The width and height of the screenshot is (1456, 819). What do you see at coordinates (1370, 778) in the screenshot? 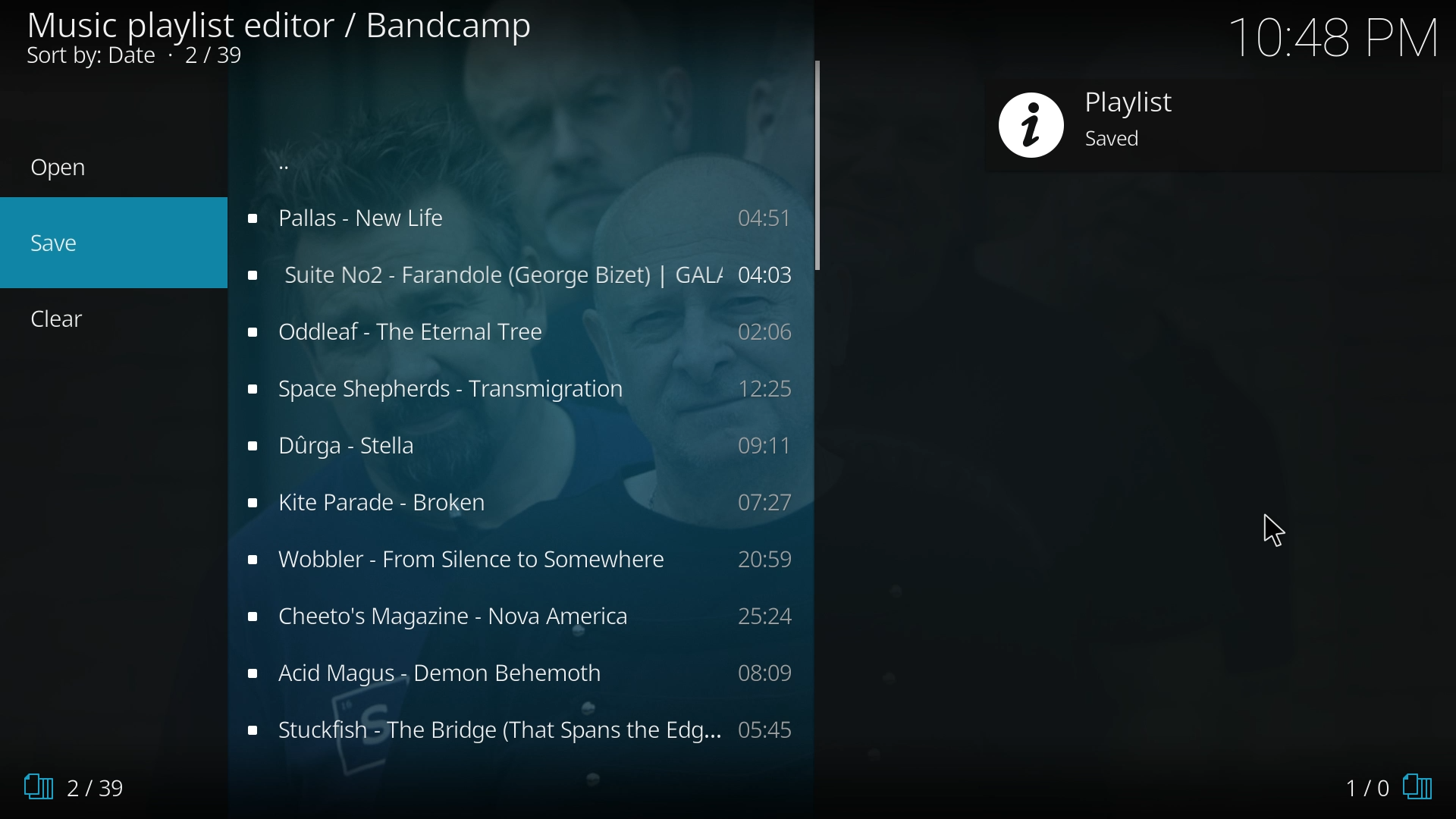
I see `1/10` at bounding box center [1370, 778].